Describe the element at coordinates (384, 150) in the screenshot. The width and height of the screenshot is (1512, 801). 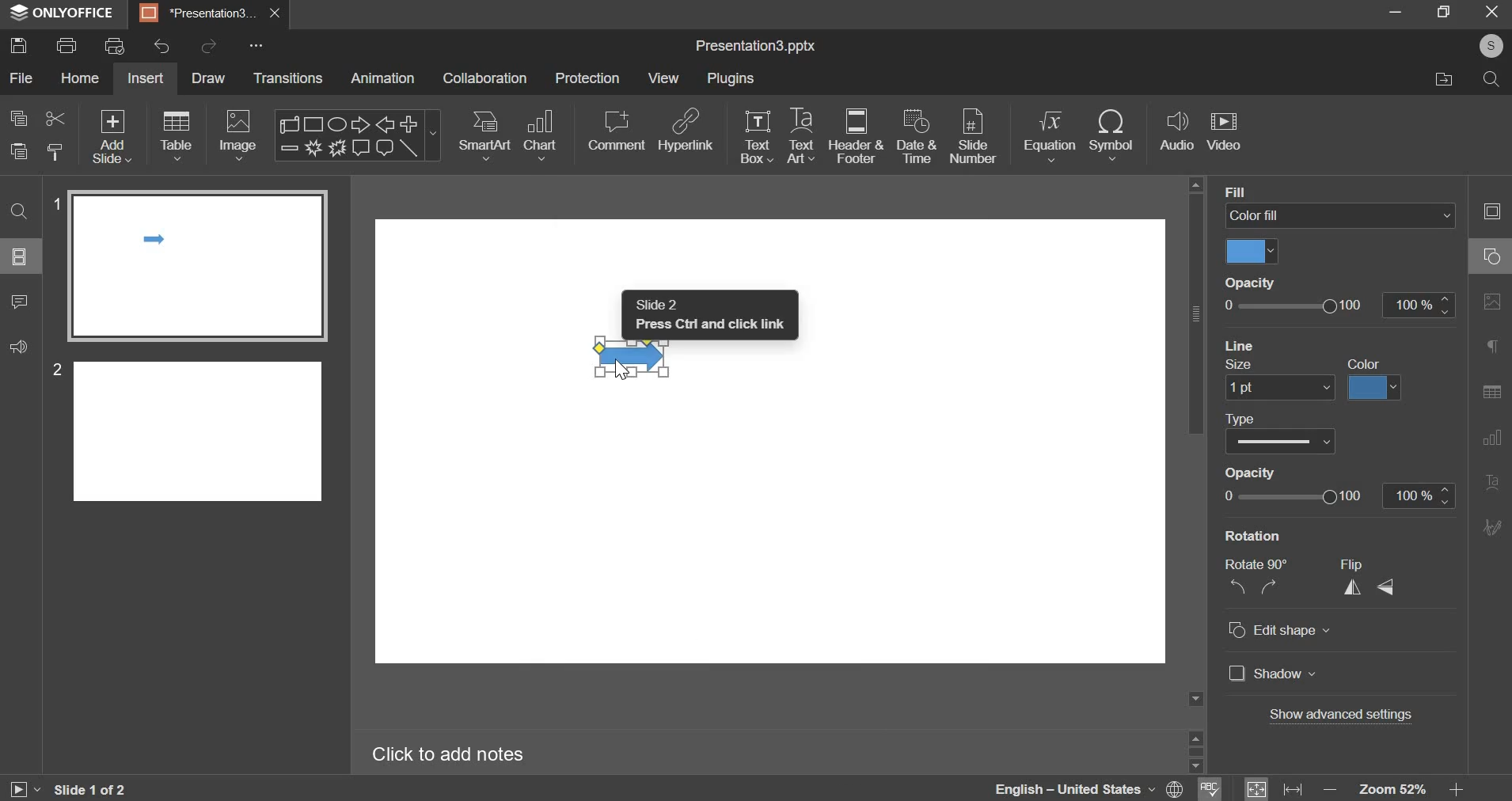
I see `rounded rectangular callout` at that location.